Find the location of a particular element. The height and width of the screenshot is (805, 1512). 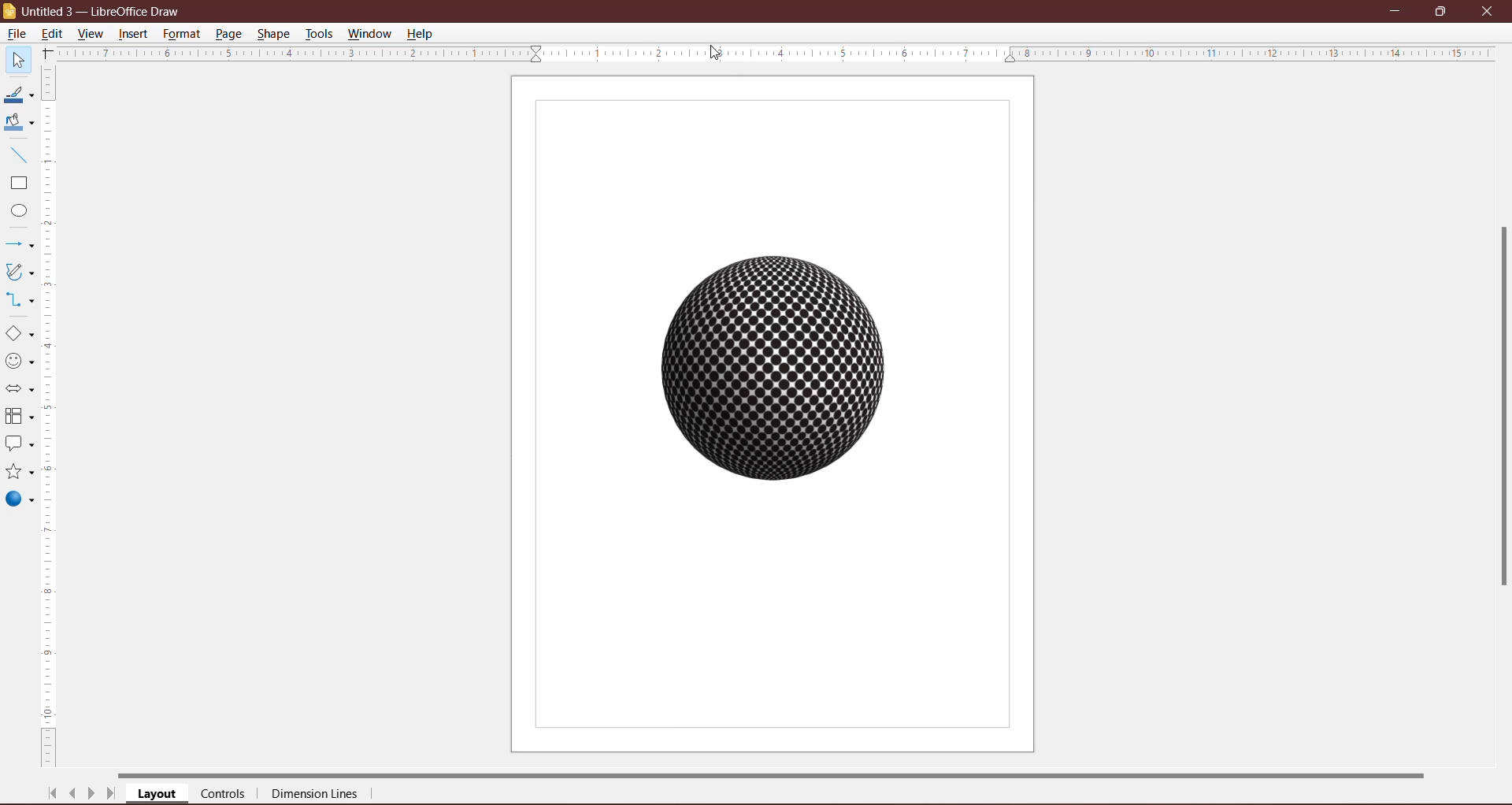

Layout is located at coordinates (158, 795).